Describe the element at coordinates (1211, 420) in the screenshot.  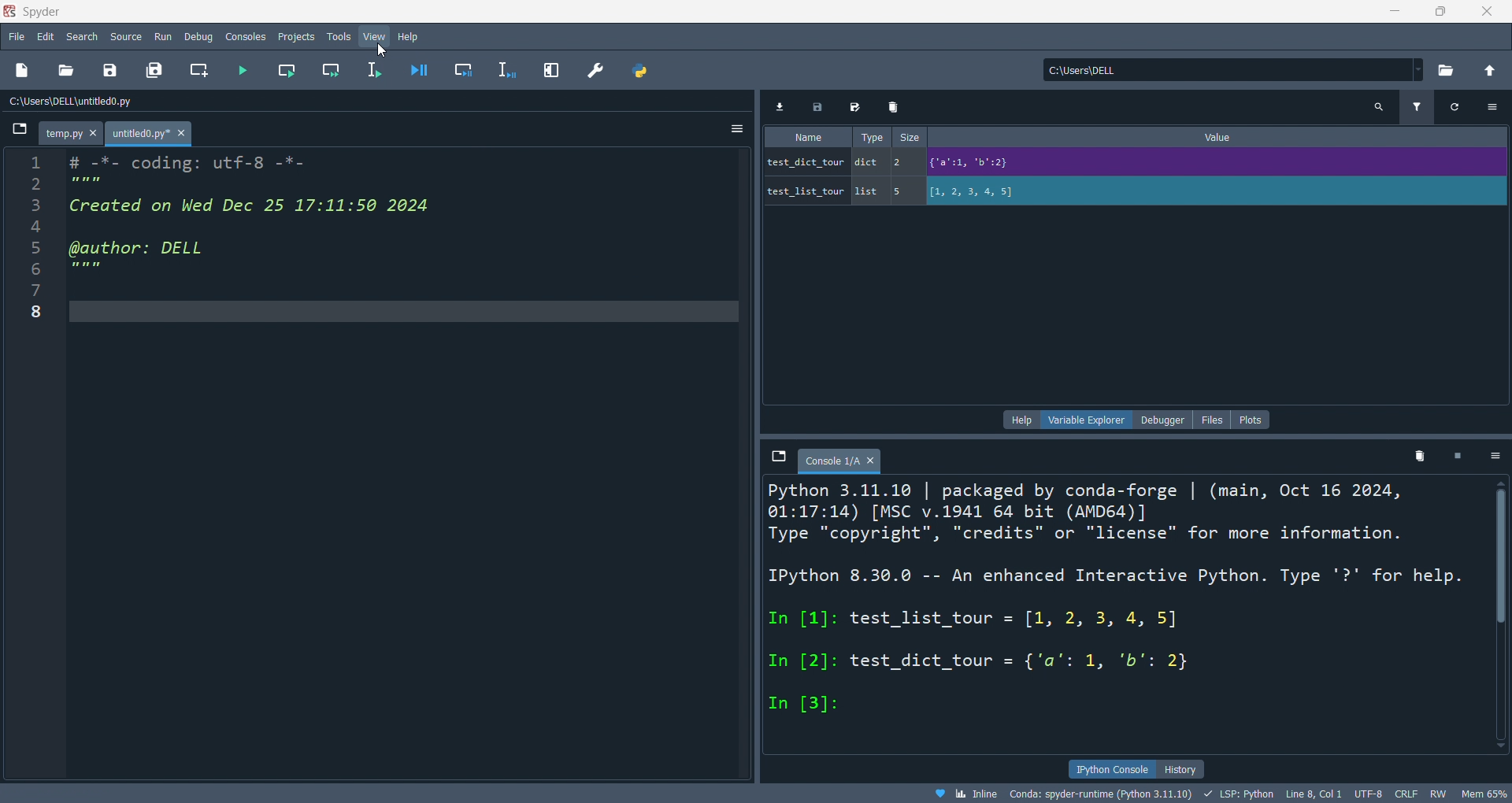
I see `files` at that location.